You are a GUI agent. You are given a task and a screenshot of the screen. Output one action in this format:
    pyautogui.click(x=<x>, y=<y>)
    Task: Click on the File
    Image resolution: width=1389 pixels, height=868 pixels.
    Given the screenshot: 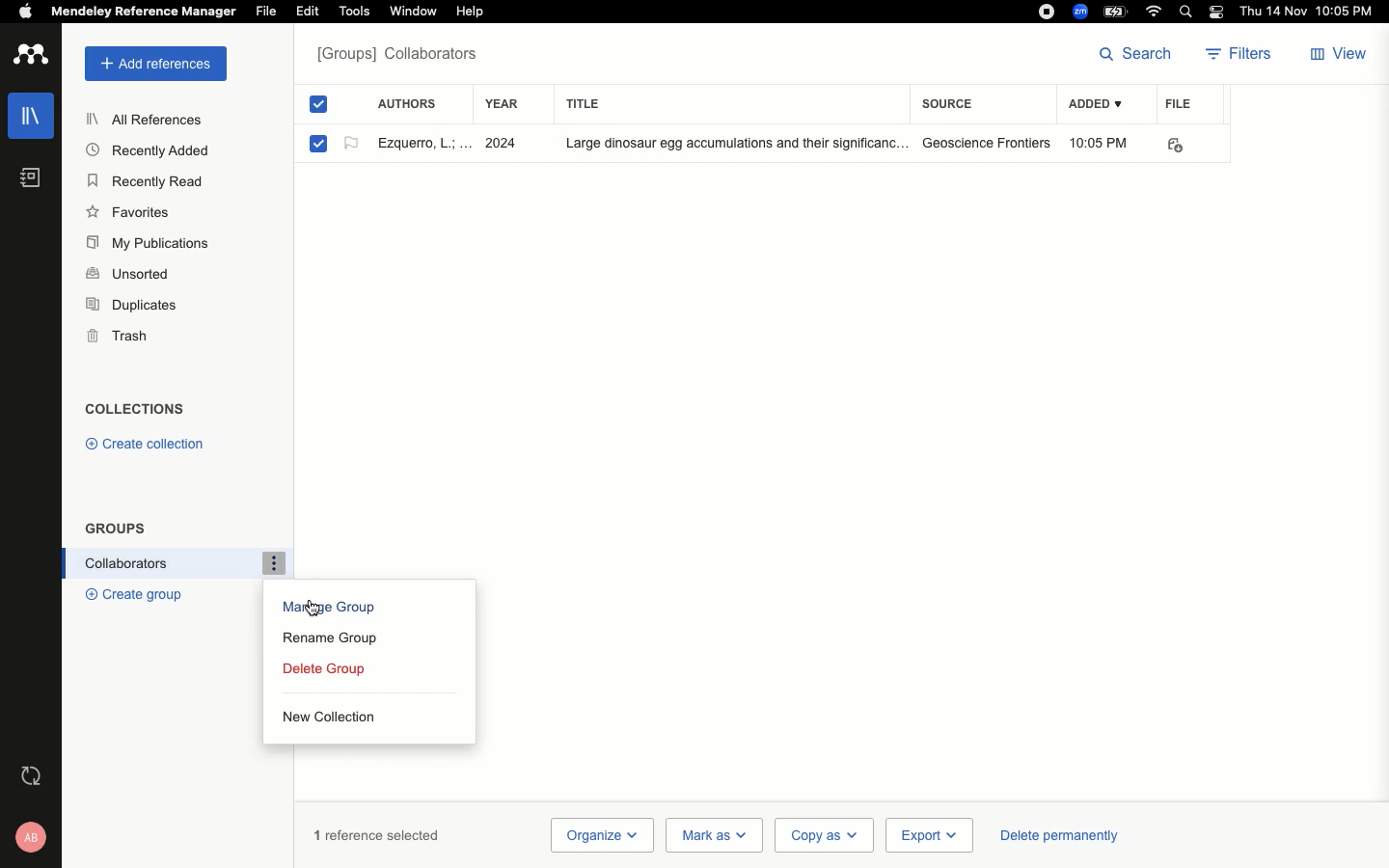 What is the action you would take?
    pyautogui.click(x=266, y=12)
    